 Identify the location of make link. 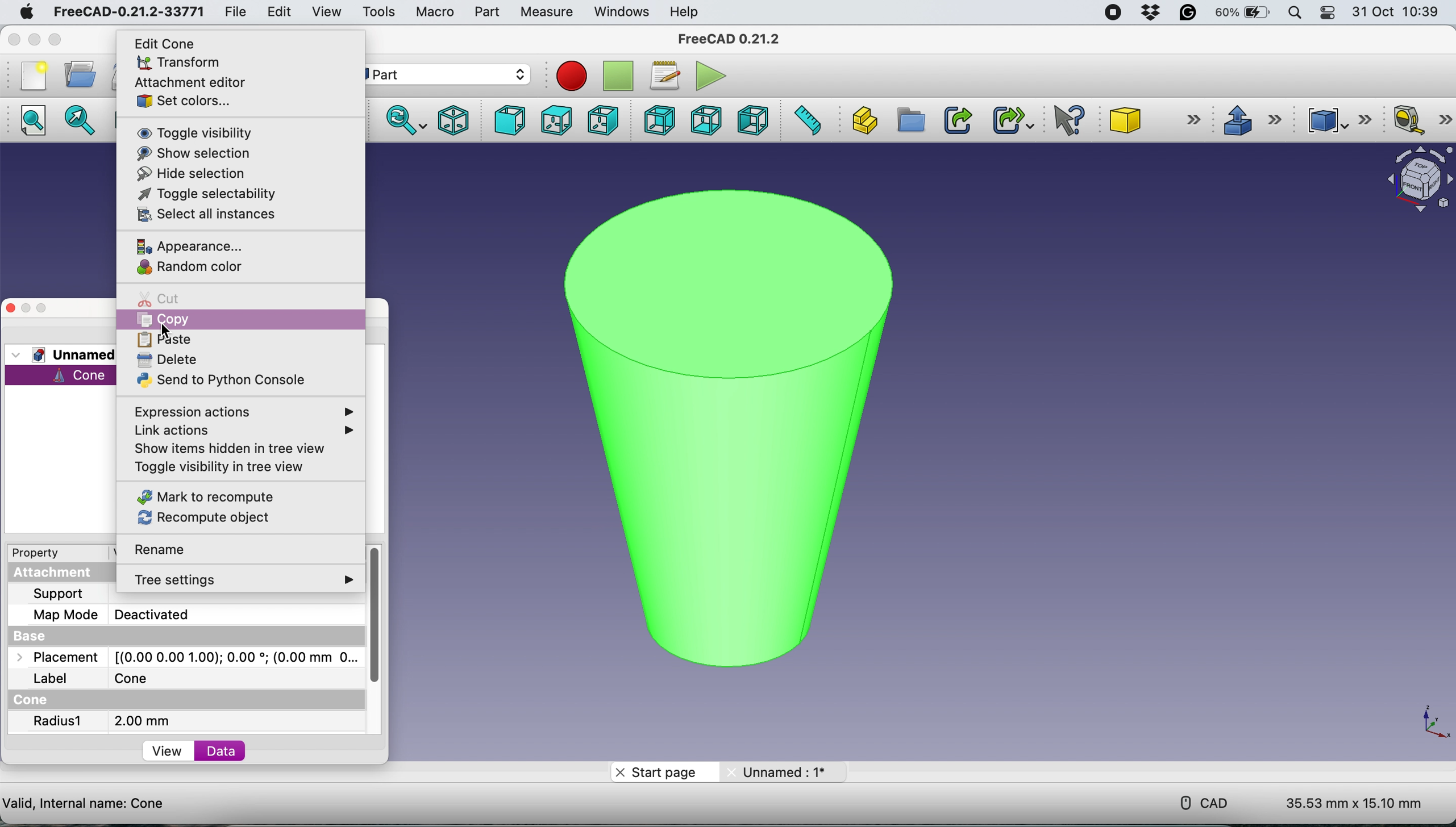
(958, 119).